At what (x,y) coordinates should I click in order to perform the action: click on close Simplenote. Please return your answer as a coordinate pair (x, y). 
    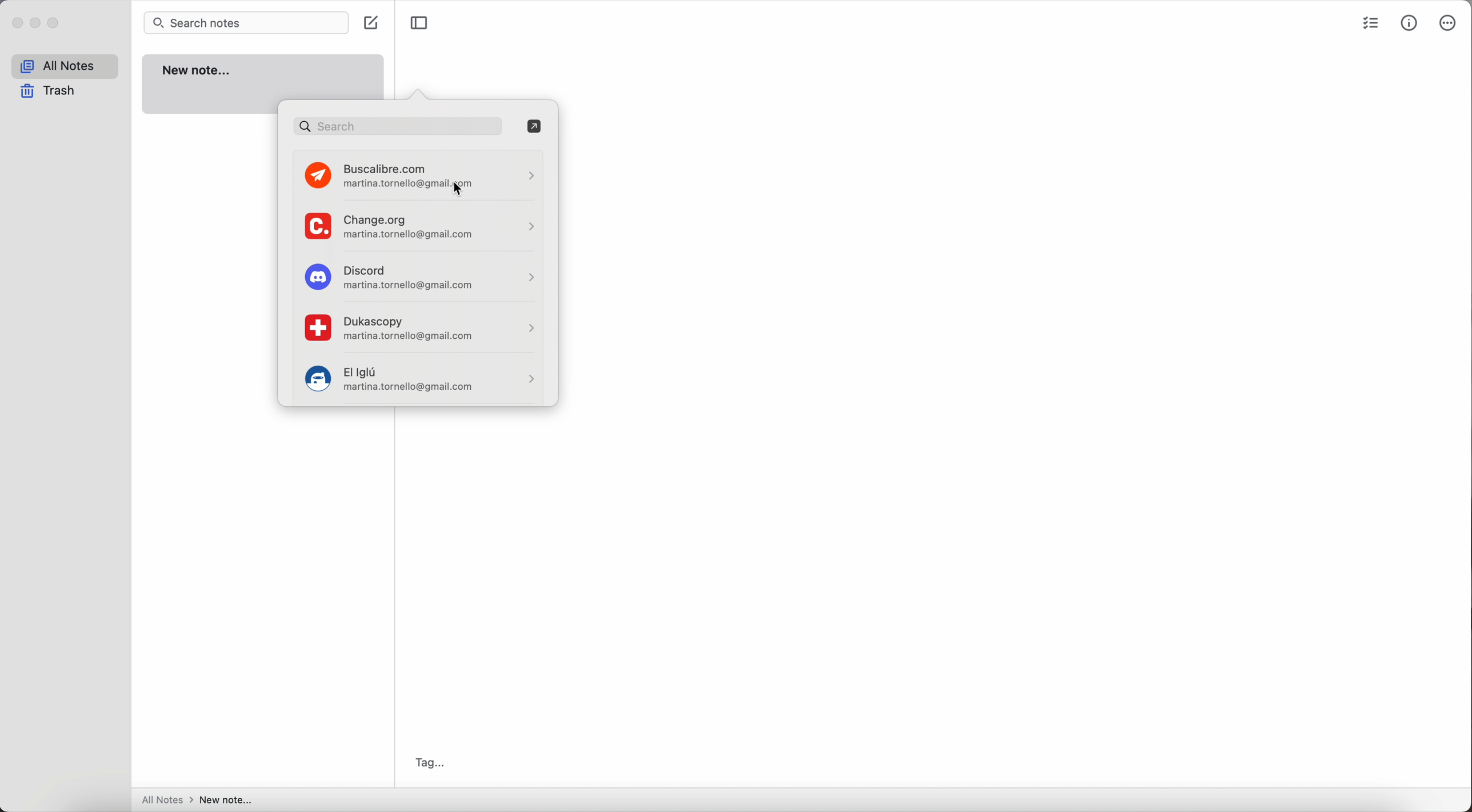
    Looking at the image, I should click on (17, 23).